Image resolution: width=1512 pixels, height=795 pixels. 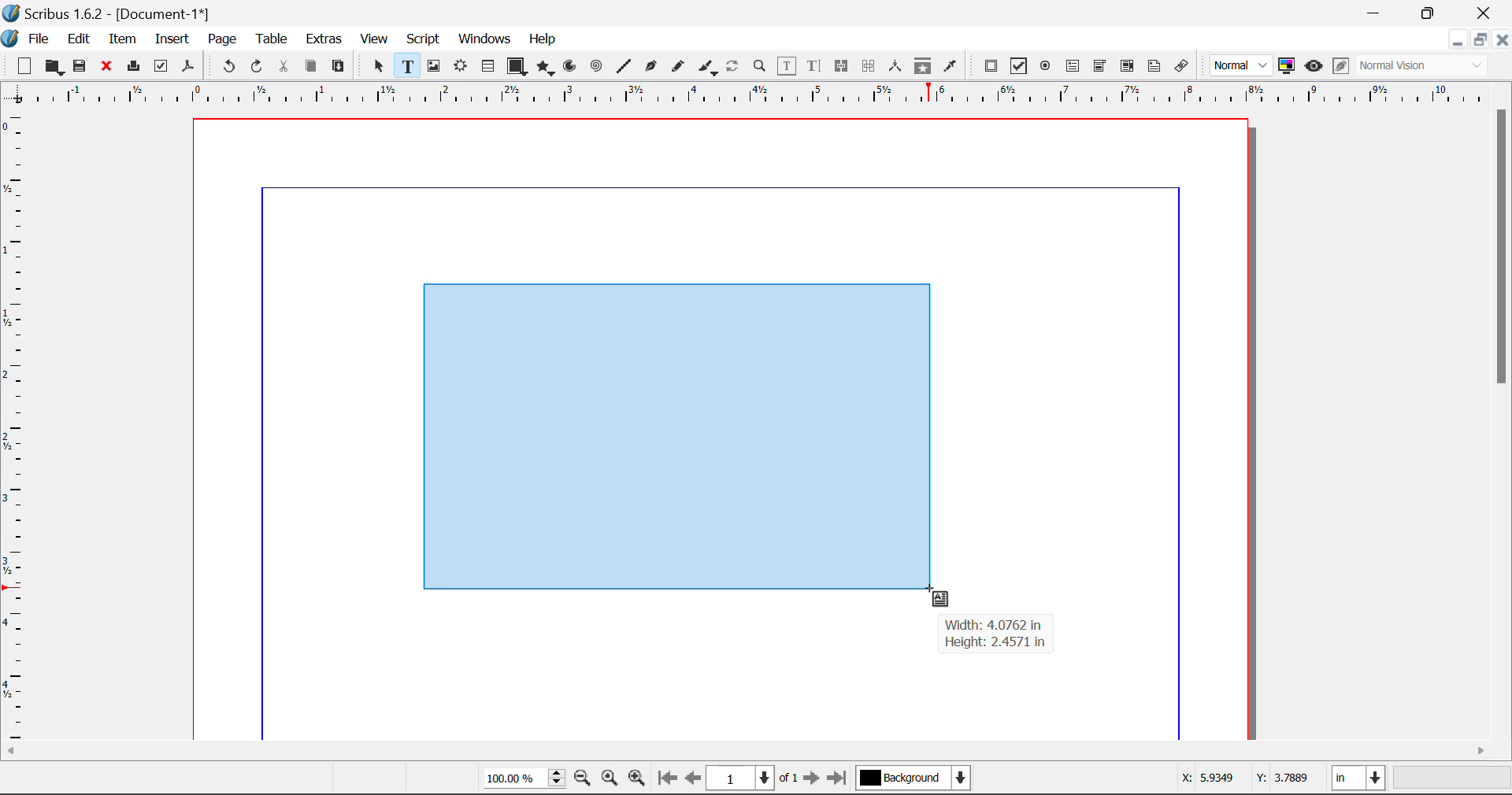 I want to click on Item, so click(x=120, y=37).